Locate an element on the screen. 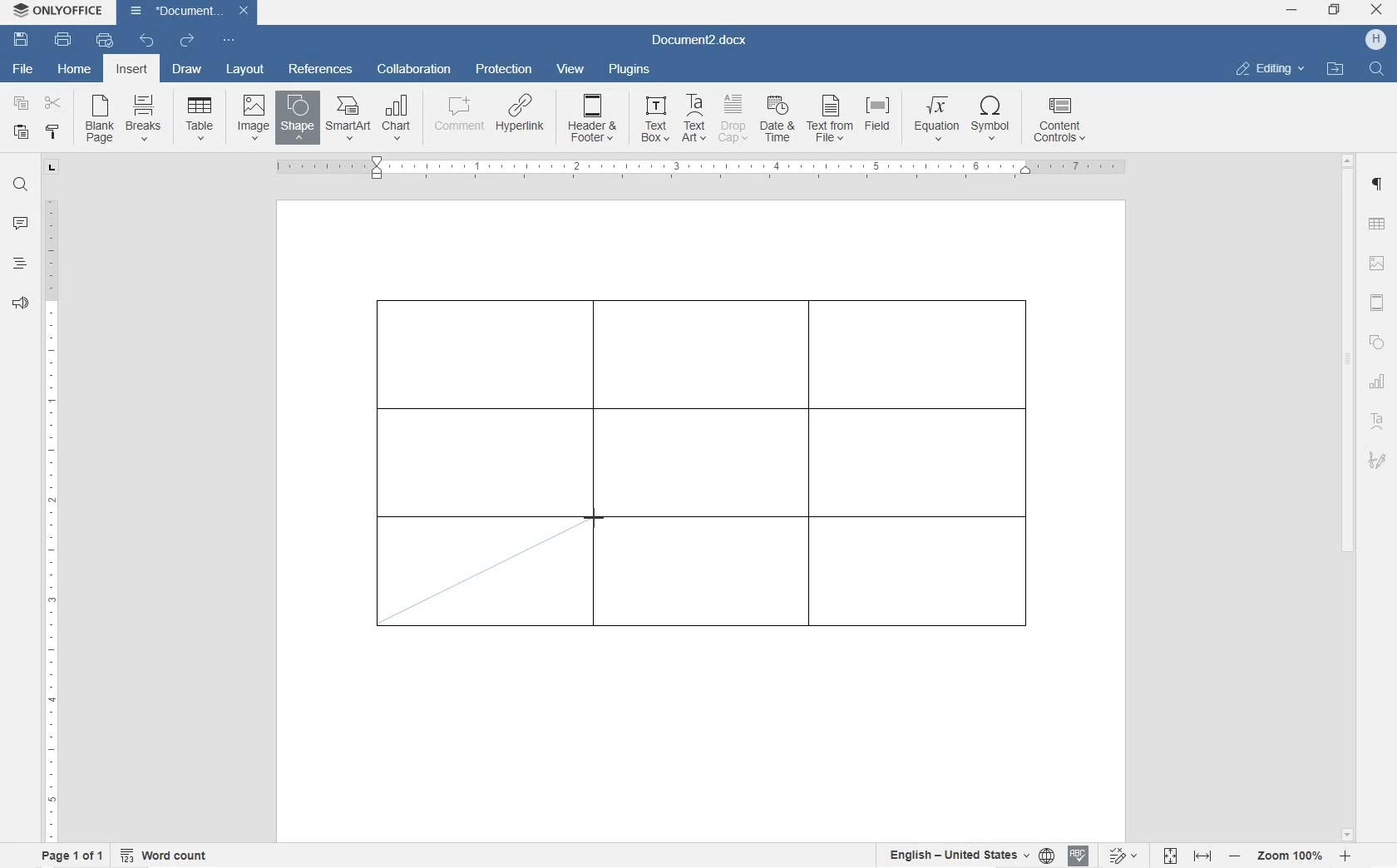 Image resolution: width=1397 pixels, height=868 pixels. minimize is located at coordinates (1291, 10).